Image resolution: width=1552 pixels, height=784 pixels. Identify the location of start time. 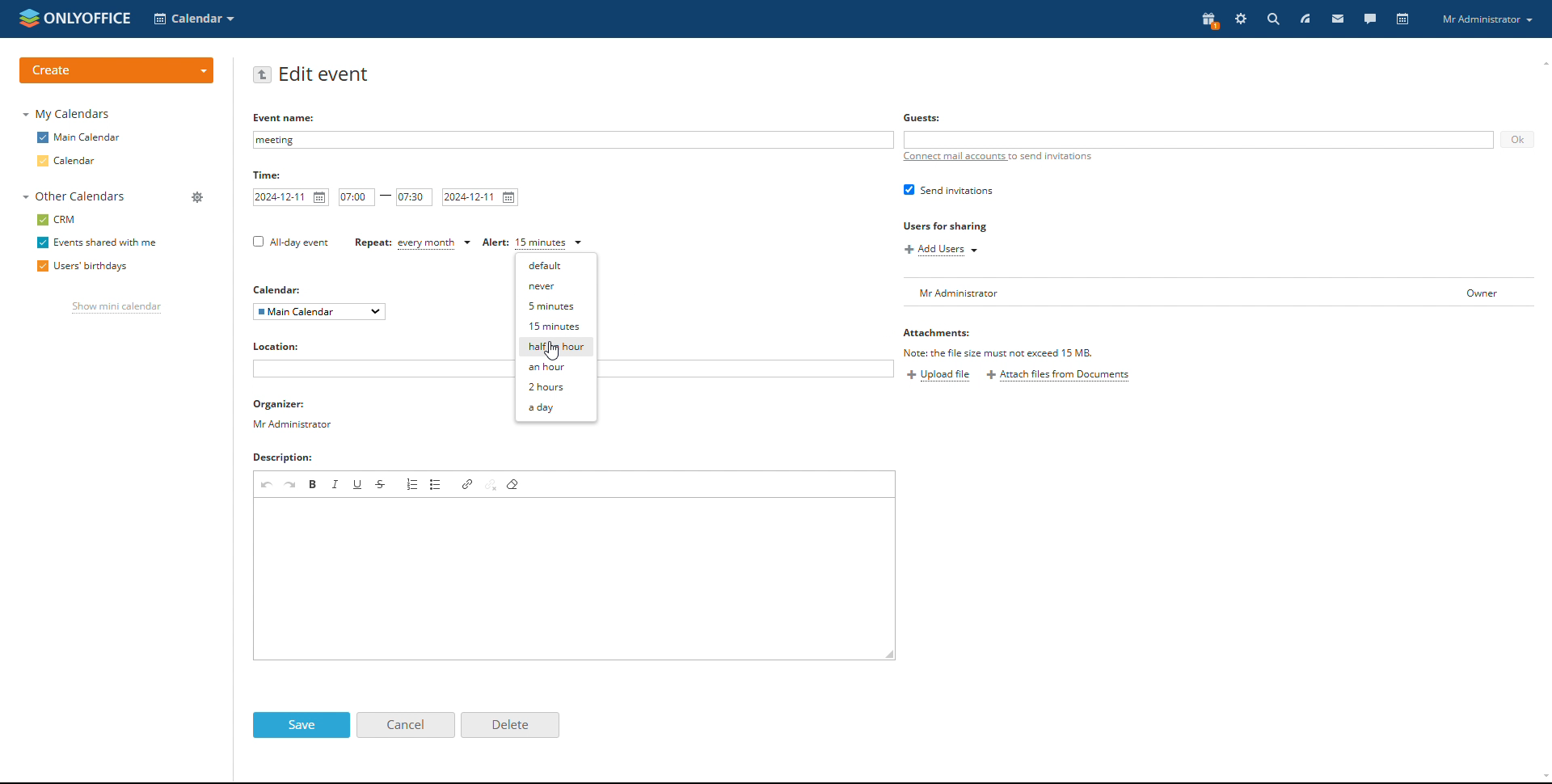
(356, 197).